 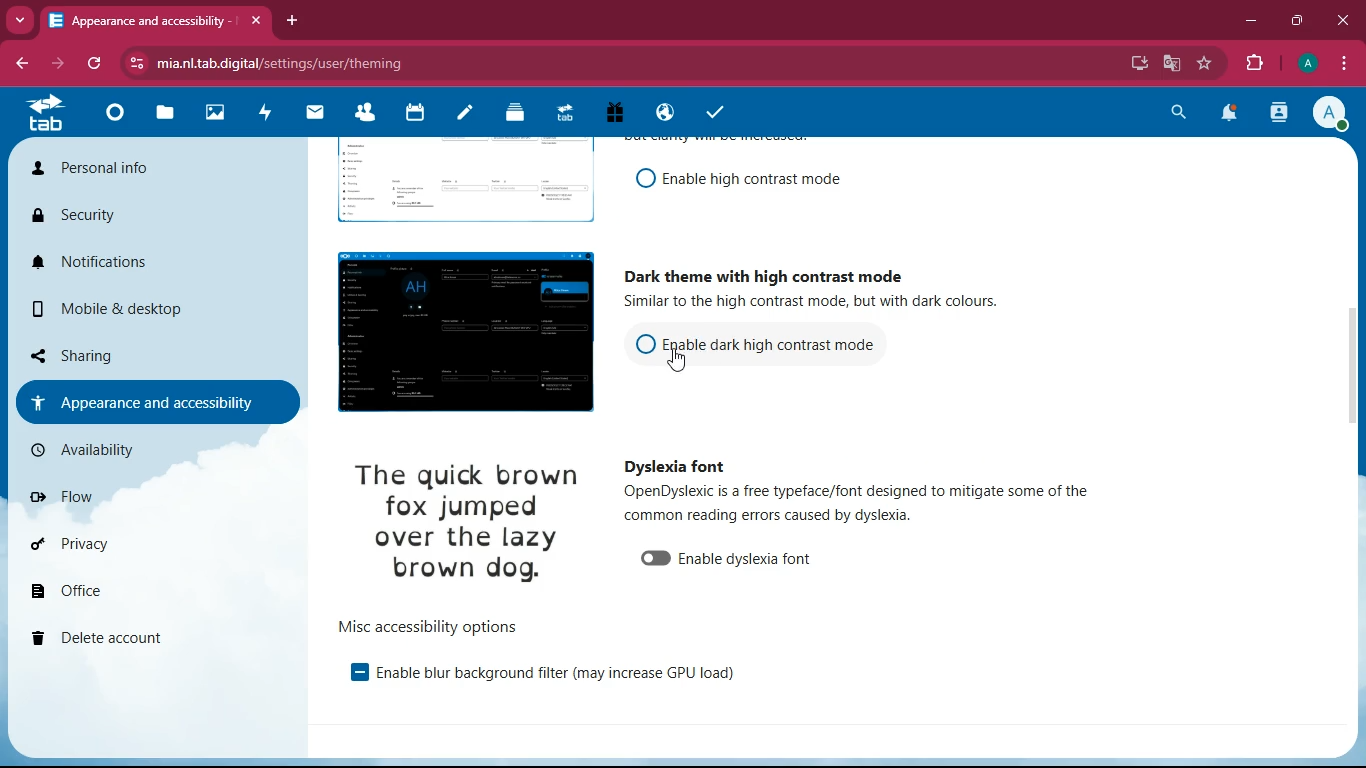 I want to click on maximize, so click(x=1293, y=19).